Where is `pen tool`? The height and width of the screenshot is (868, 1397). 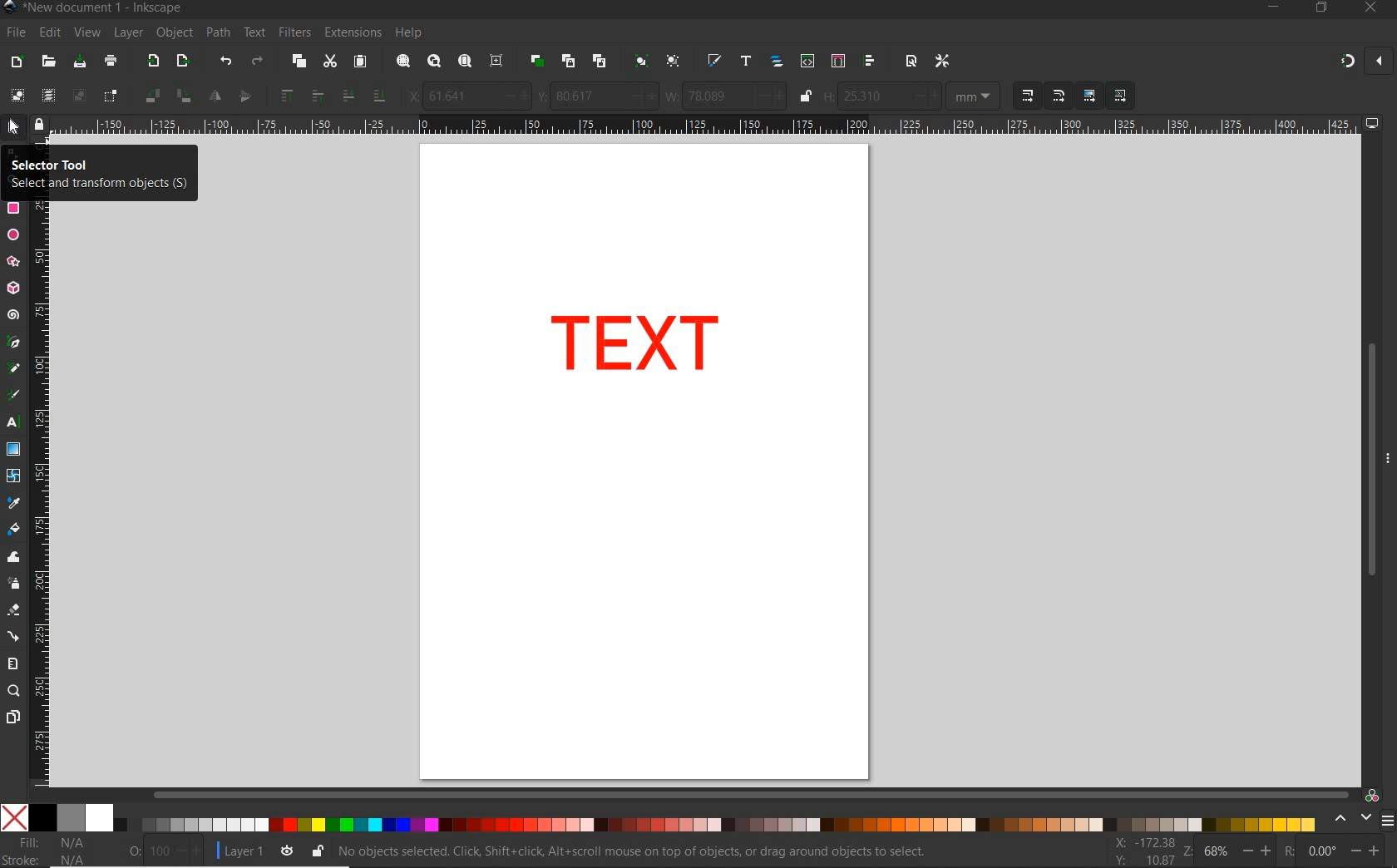
pen tool is located at coordinates (12, 343).